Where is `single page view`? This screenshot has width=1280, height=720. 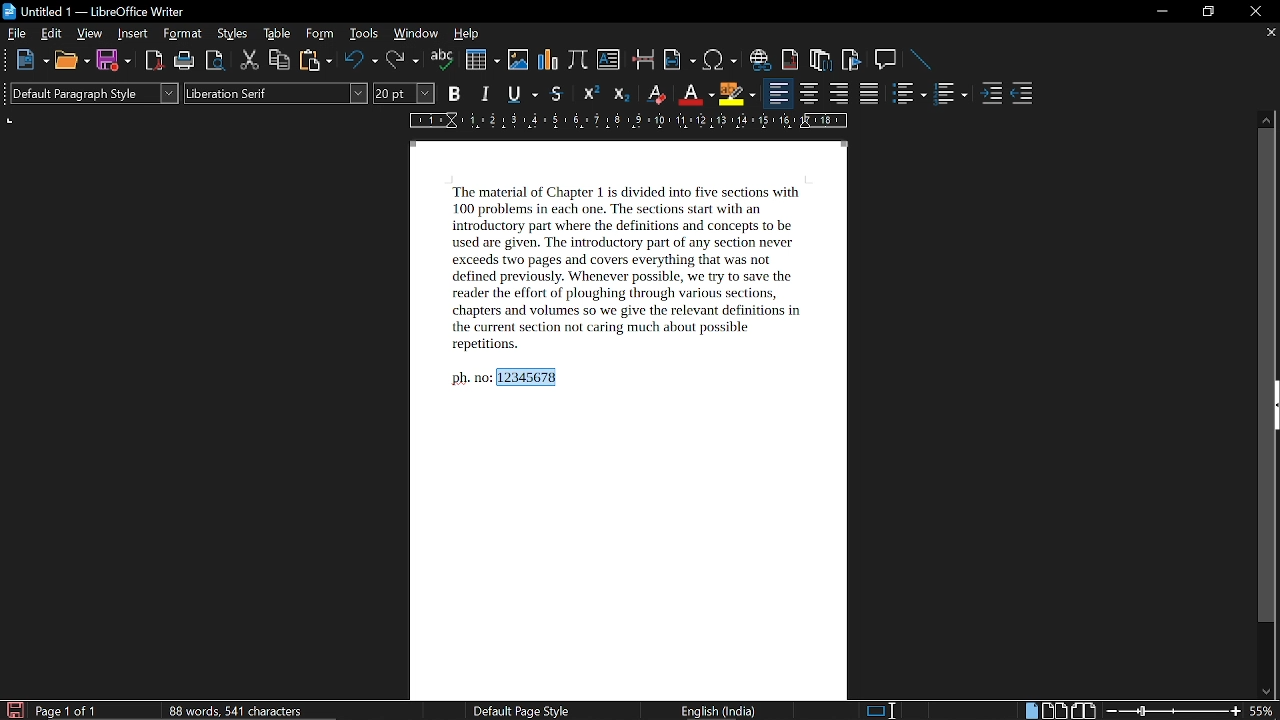 single page view is located at coordinates (1030, 710).